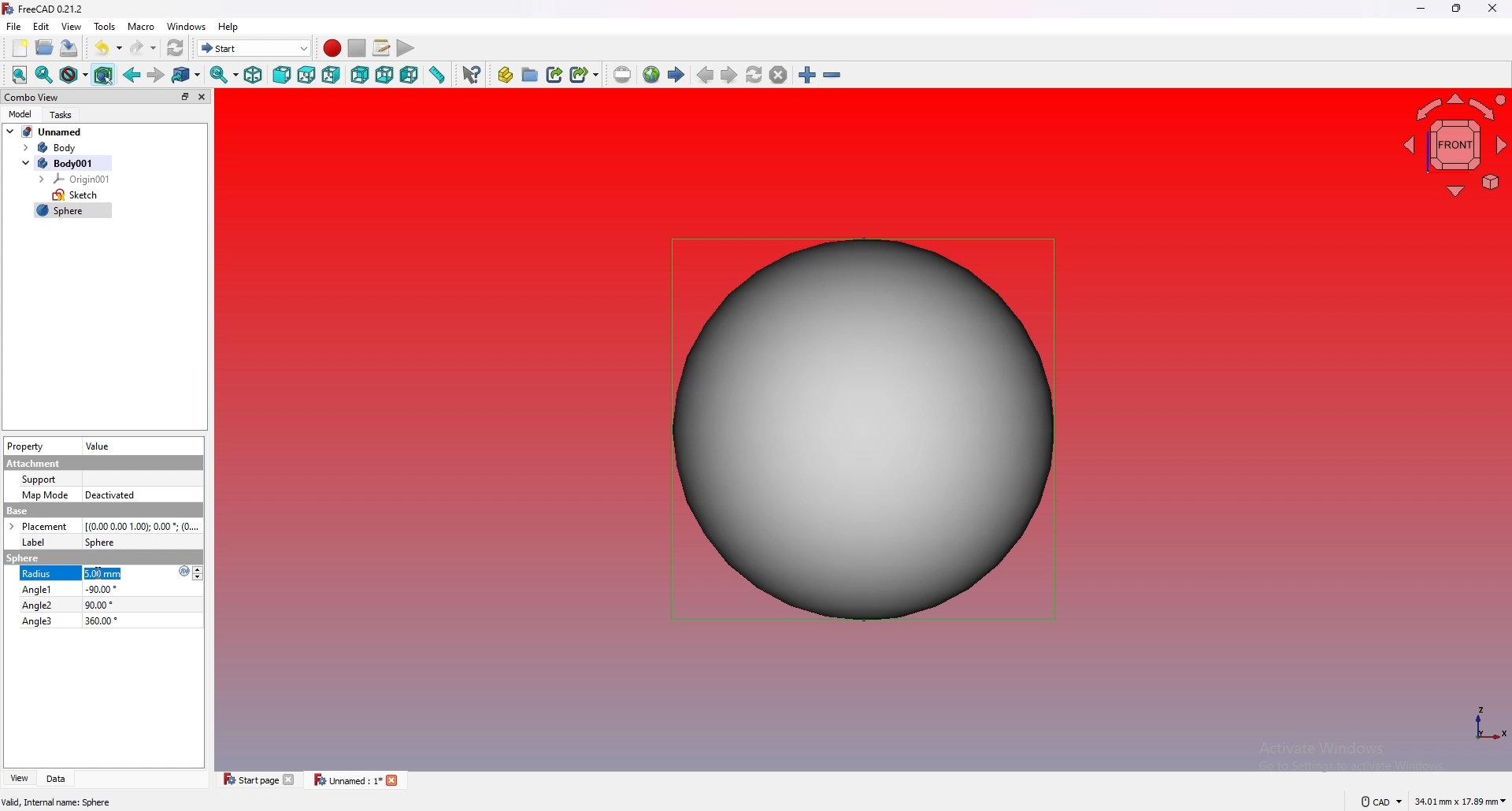  I want to click on create link, so click(555, 75).